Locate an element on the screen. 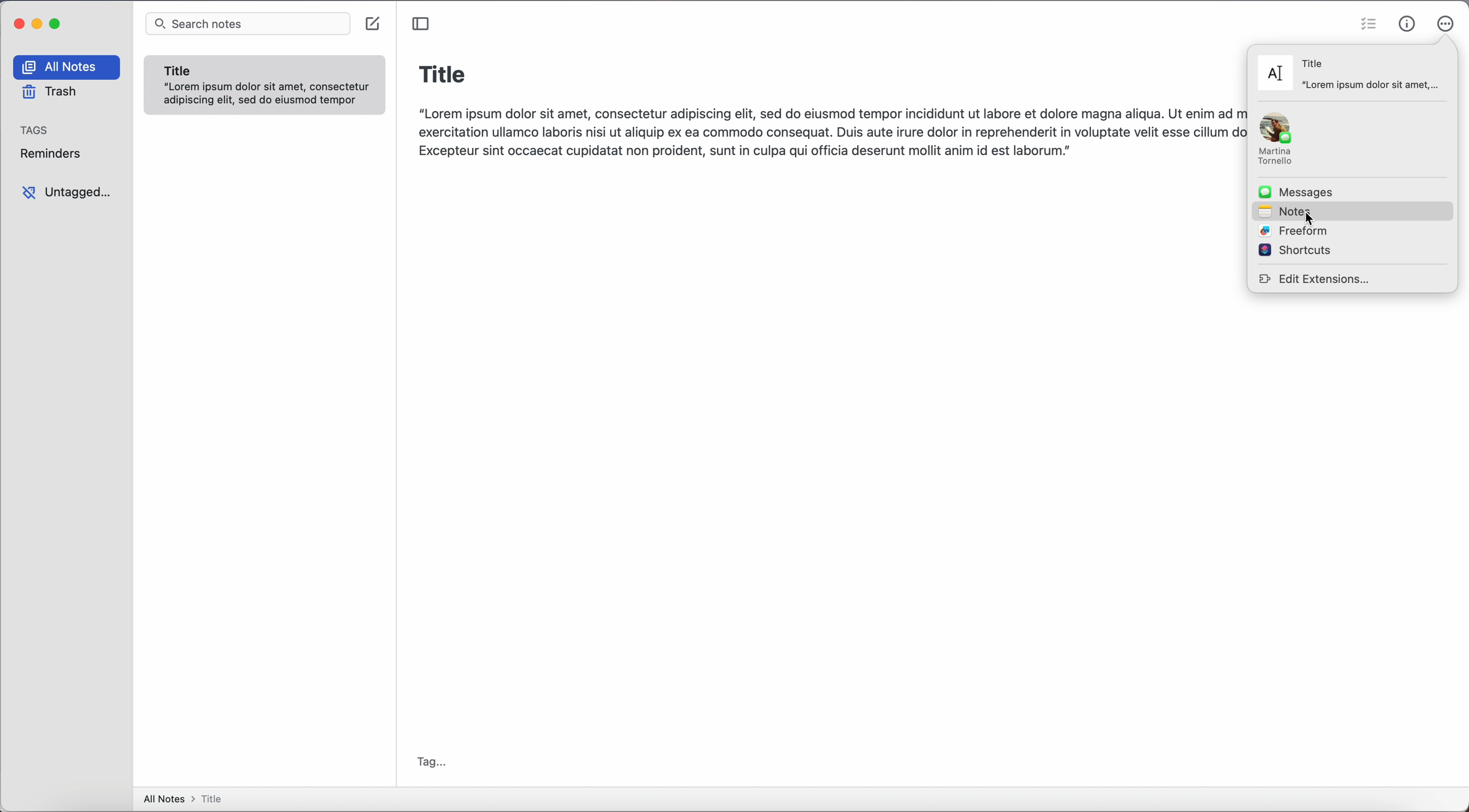 The image size is (1469, 812). click on notes is located at coordinates (1352, 210).